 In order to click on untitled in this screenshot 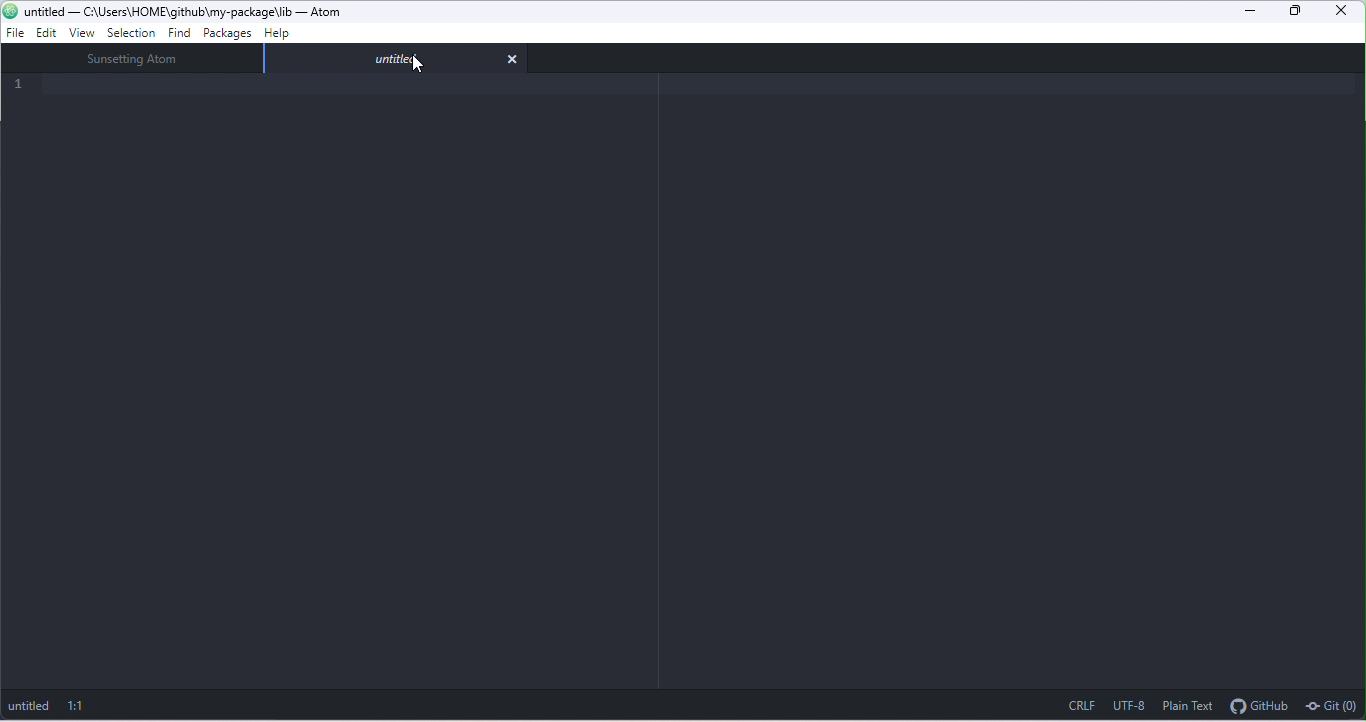, I will do `click(31, 704)`.